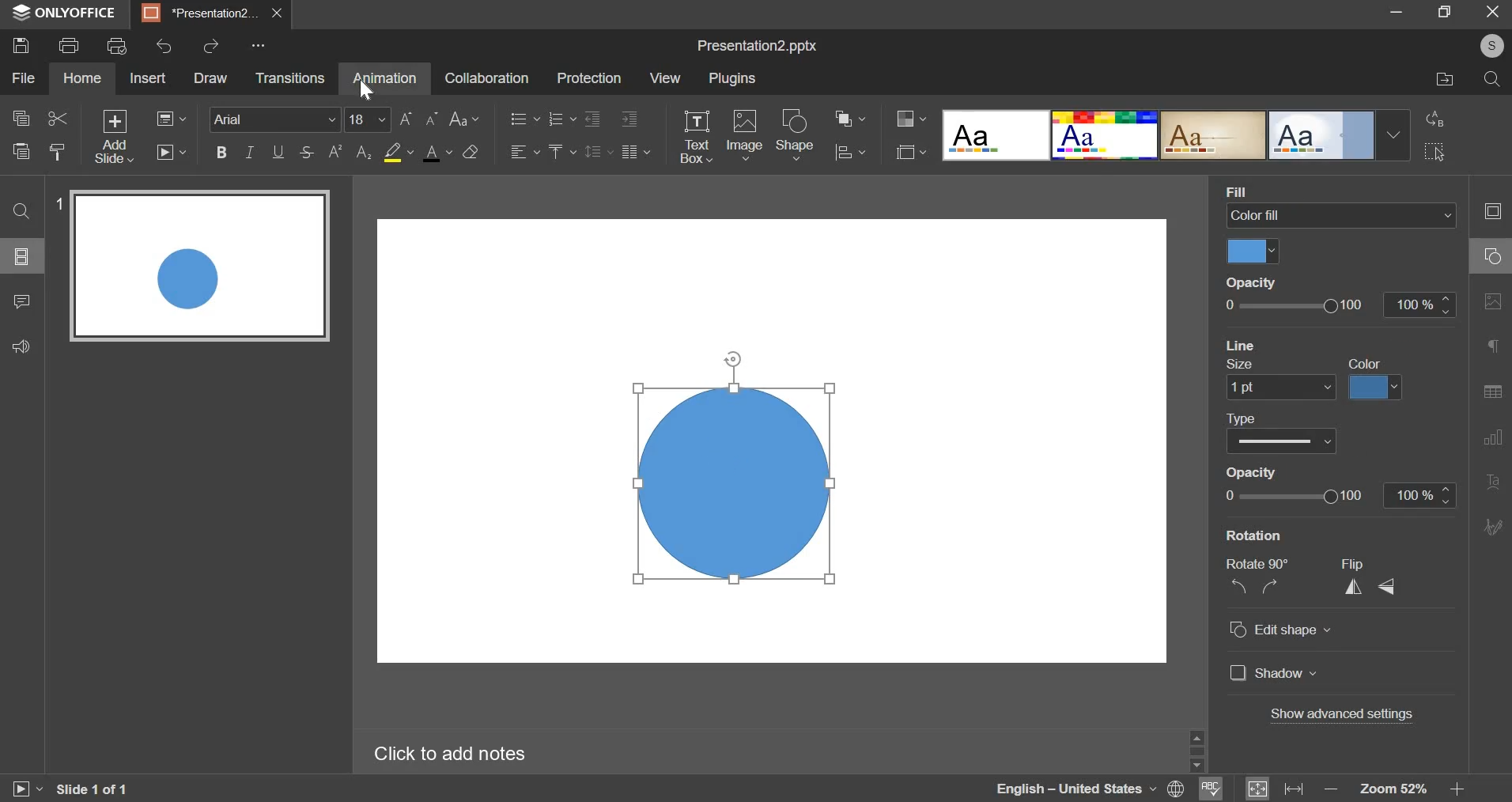 This screenshot has height=802, width=1512. I want to click on view, so click(664, 78).